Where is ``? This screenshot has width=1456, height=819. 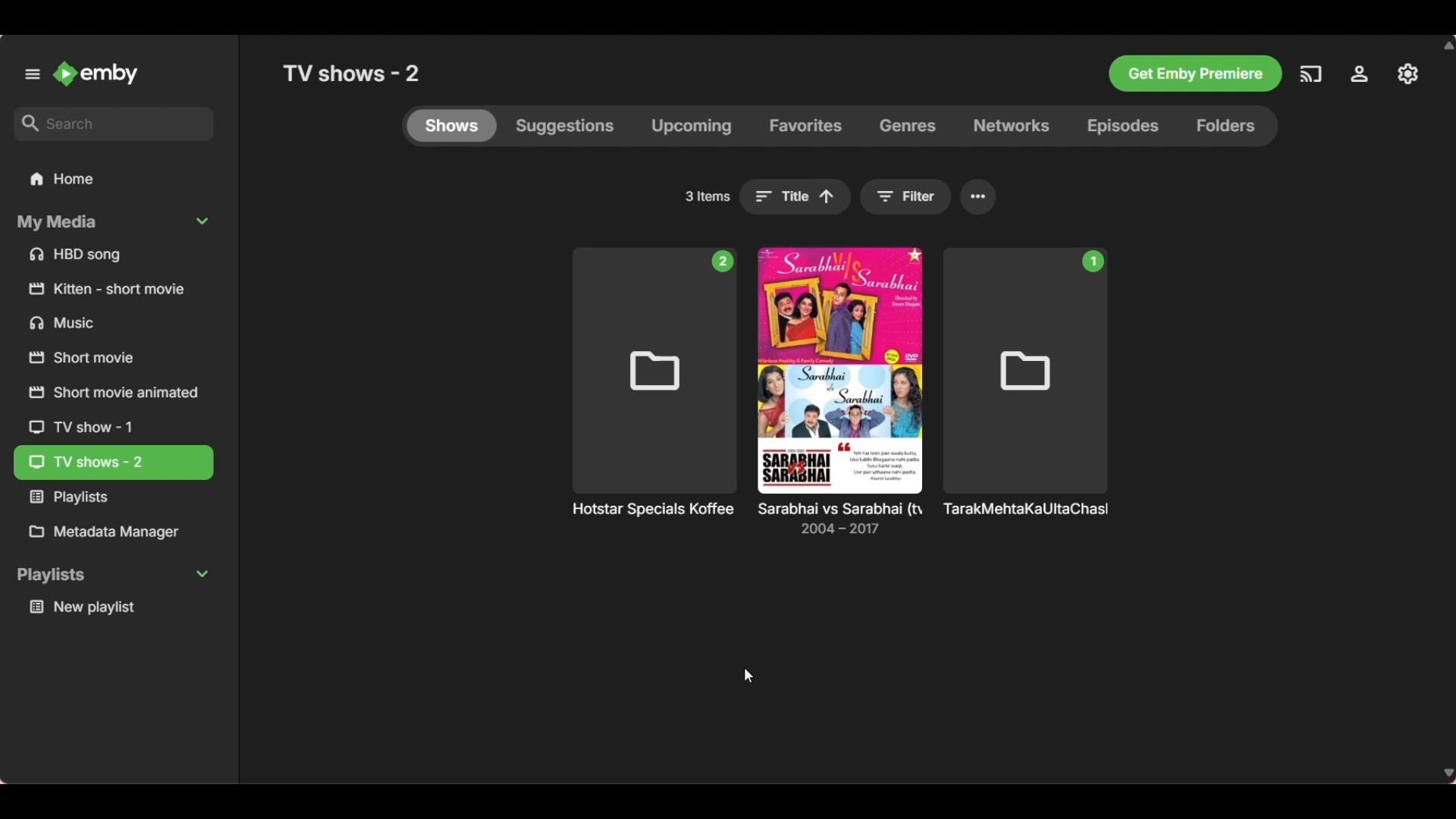
 is located at coordinates (93, 362).